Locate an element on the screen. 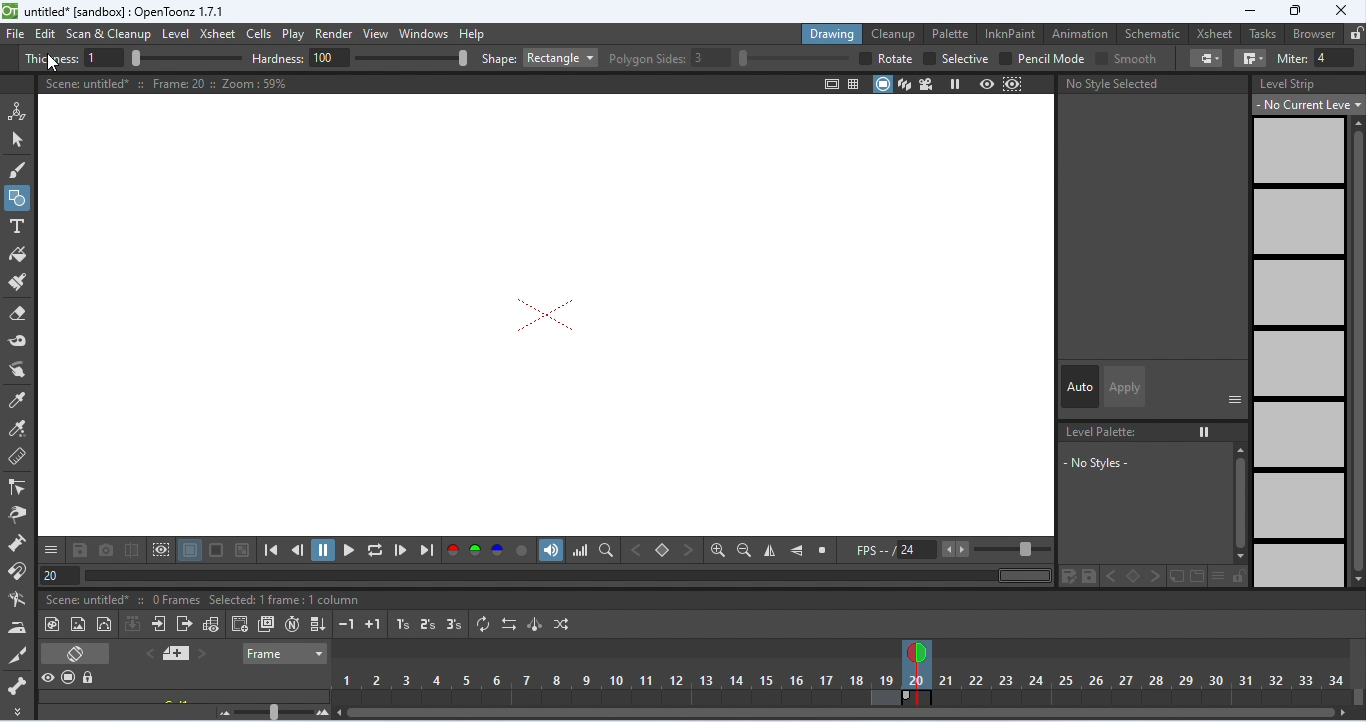 The height and width of the screenshot is (722, 1366). camera stand visibility is located at coordinates (69, 677).